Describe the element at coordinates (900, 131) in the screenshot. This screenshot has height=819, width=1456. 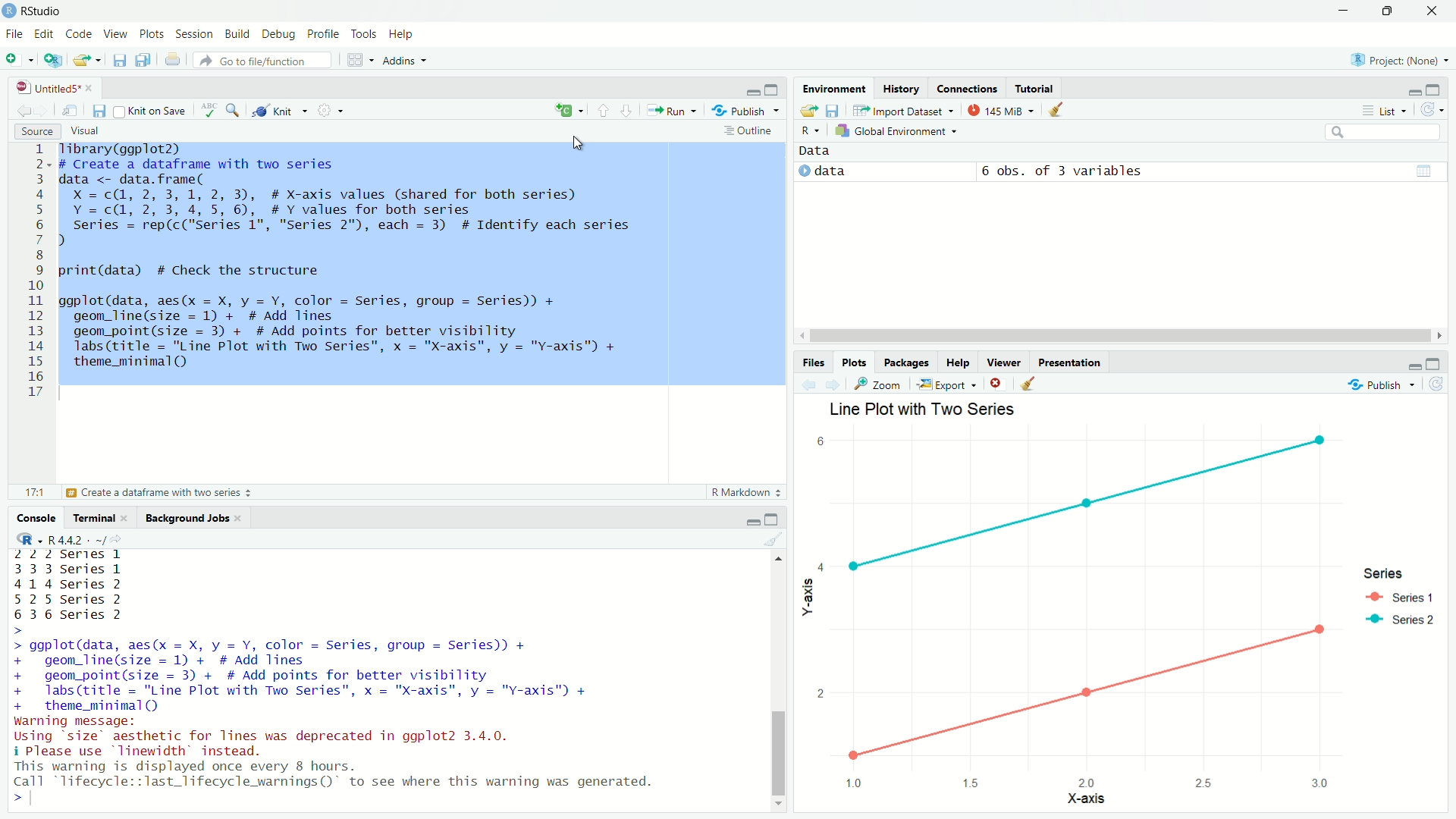
I see `Global Enviornment` at that location.